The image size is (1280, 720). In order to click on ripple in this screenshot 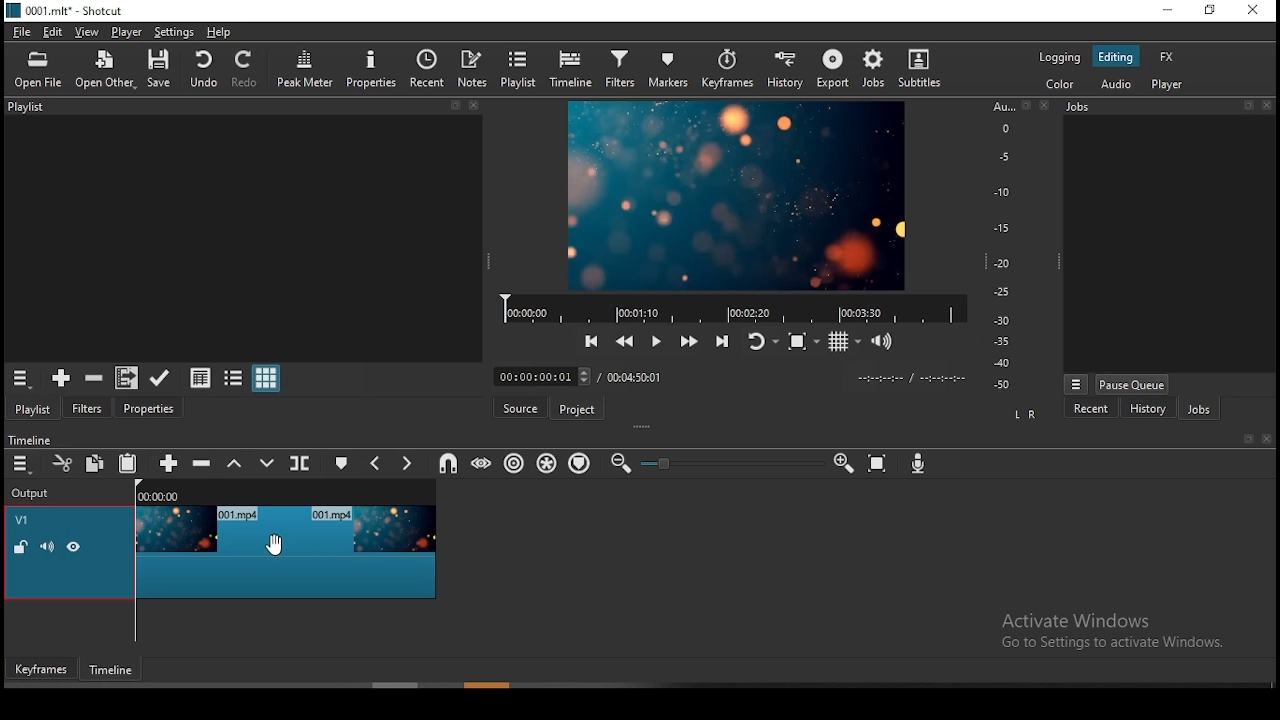, I will do `click(511, 463)`.